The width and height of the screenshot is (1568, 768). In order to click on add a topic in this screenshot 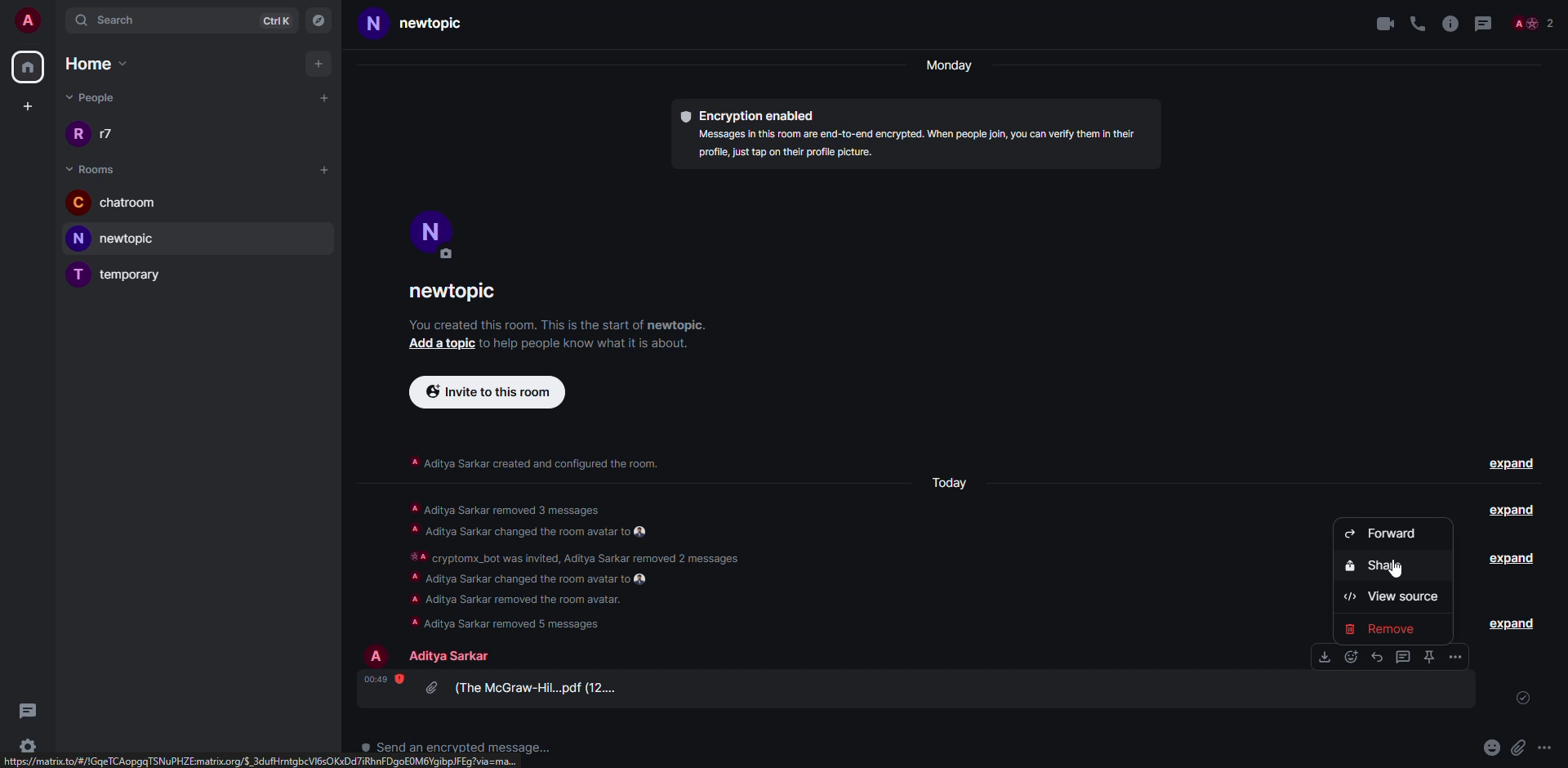, I will do `click(435, 345)`.